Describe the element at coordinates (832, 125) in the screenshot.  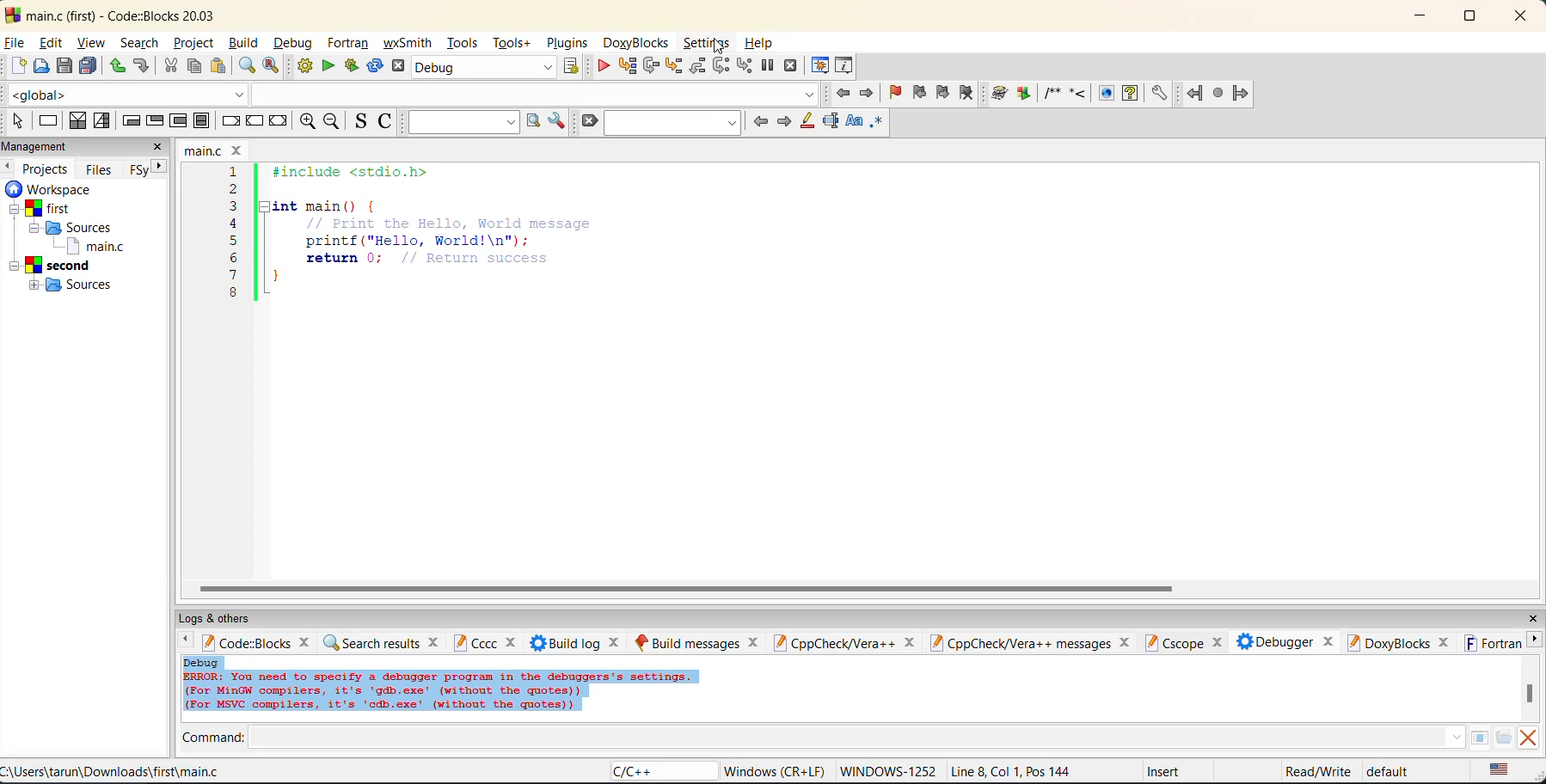
I see `selected text` at that location.